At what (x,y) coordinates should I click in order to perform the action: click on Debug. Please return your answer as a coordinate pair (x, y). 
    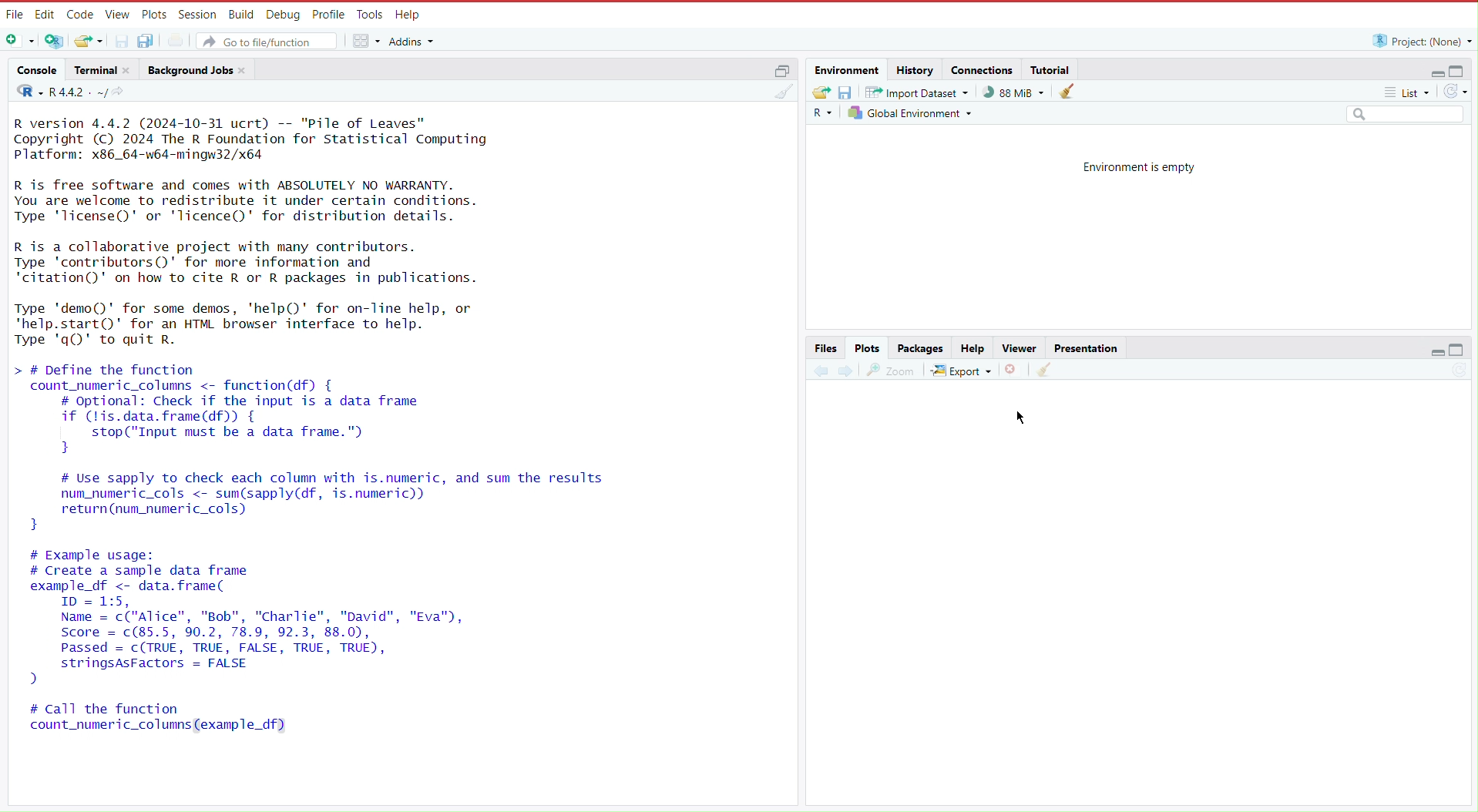
    Looking at the image, I should click on (281, 14).